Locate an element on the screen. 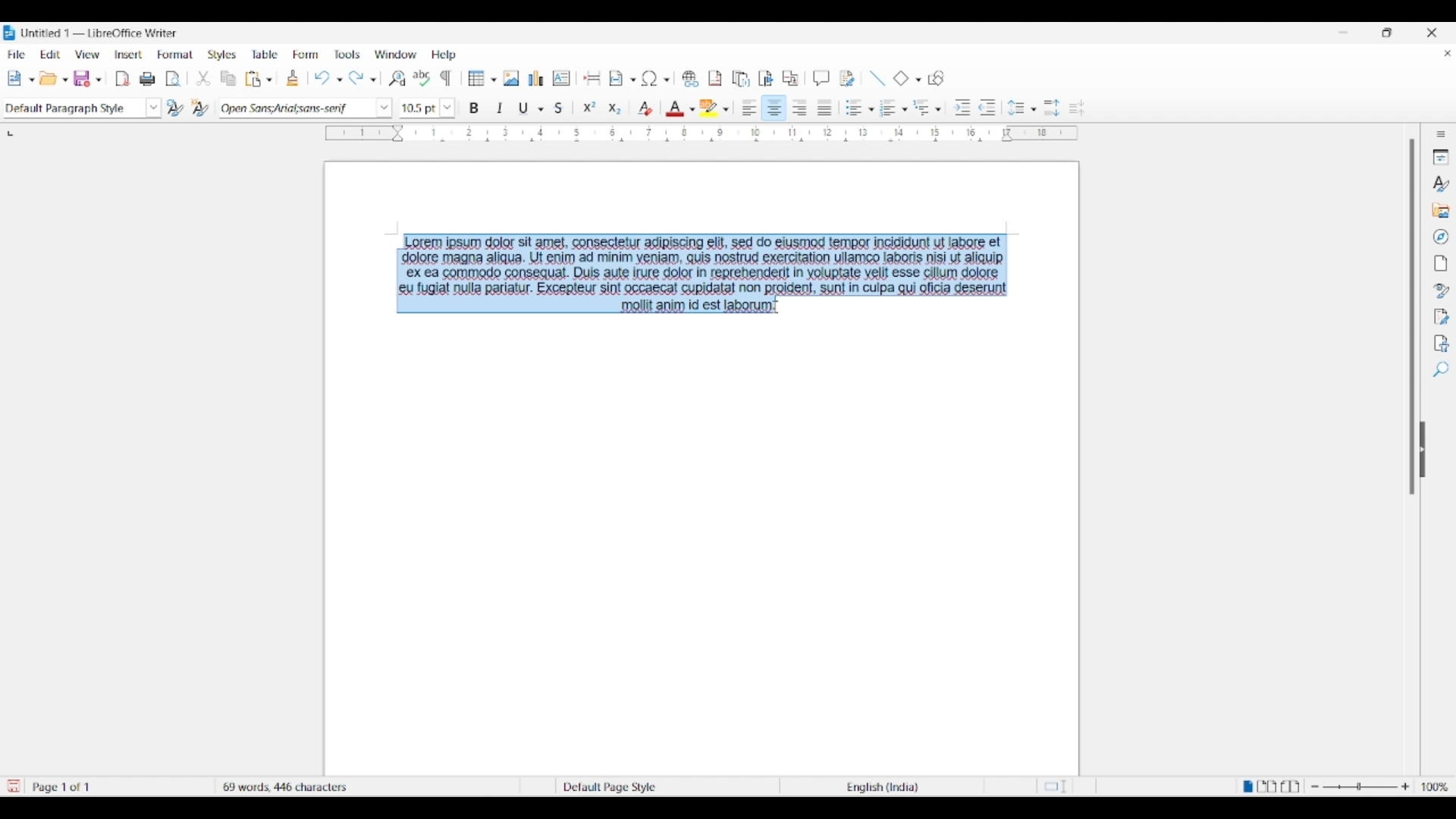  Insert endnote is located at coordinates (741, 78).